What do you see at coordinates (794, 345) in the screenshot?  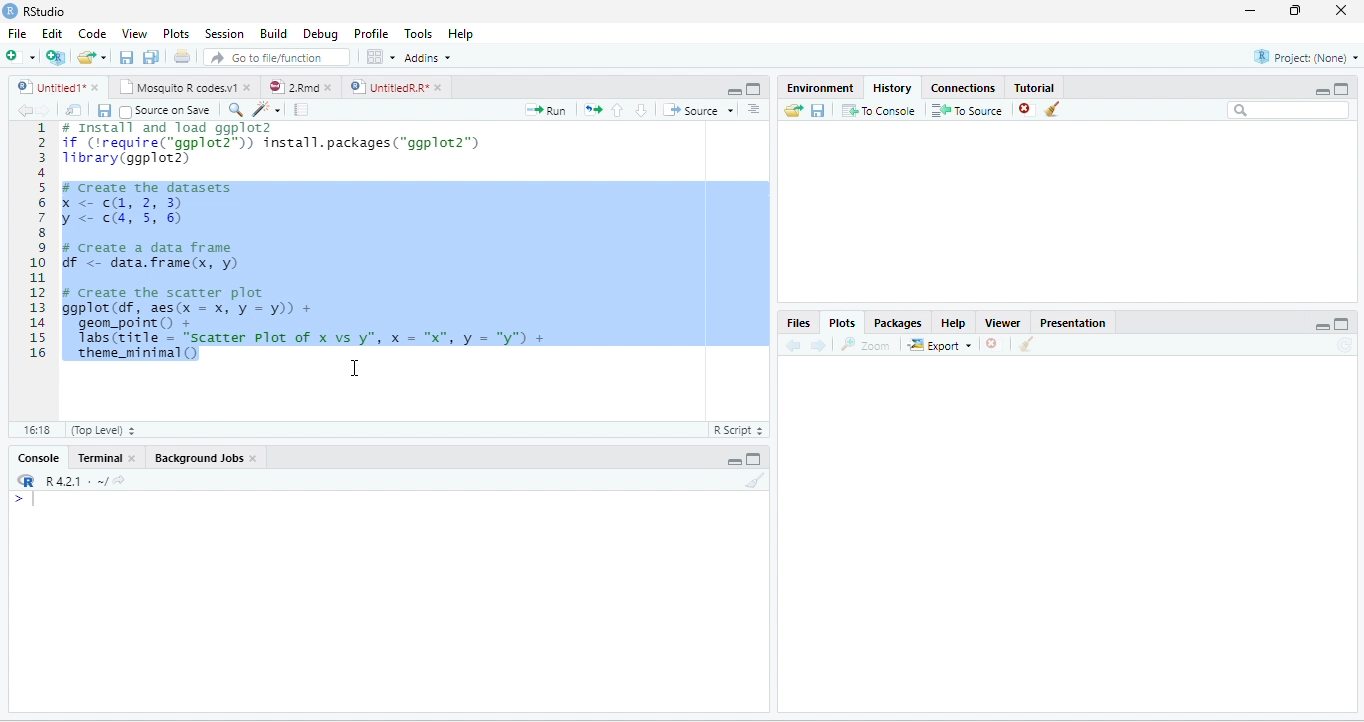 I see `Previous plot` at bounding box center [794, 345].